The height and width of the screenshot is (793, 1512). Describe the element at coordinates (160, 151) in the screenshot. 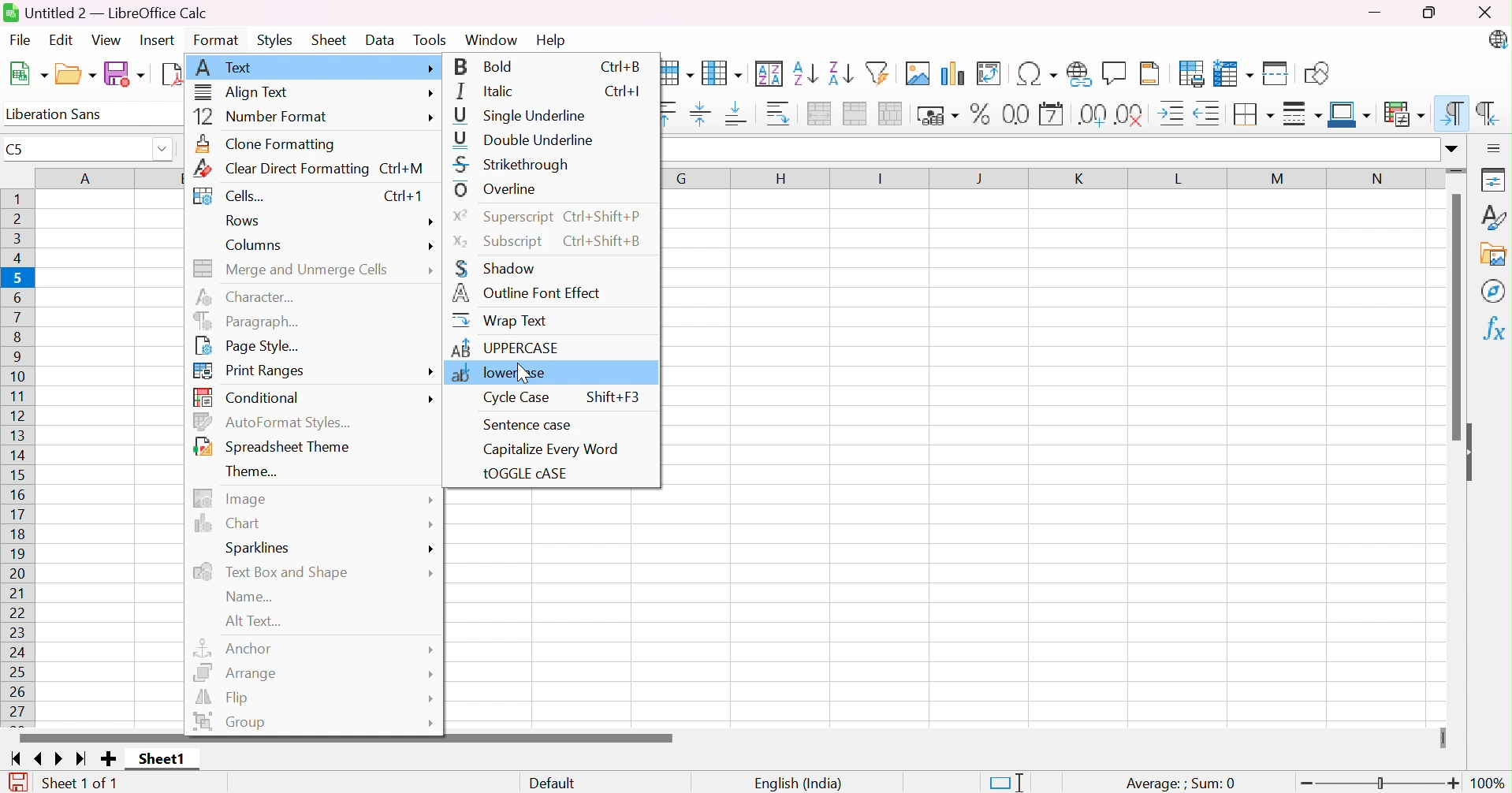

I see `Drop Down` at that location.